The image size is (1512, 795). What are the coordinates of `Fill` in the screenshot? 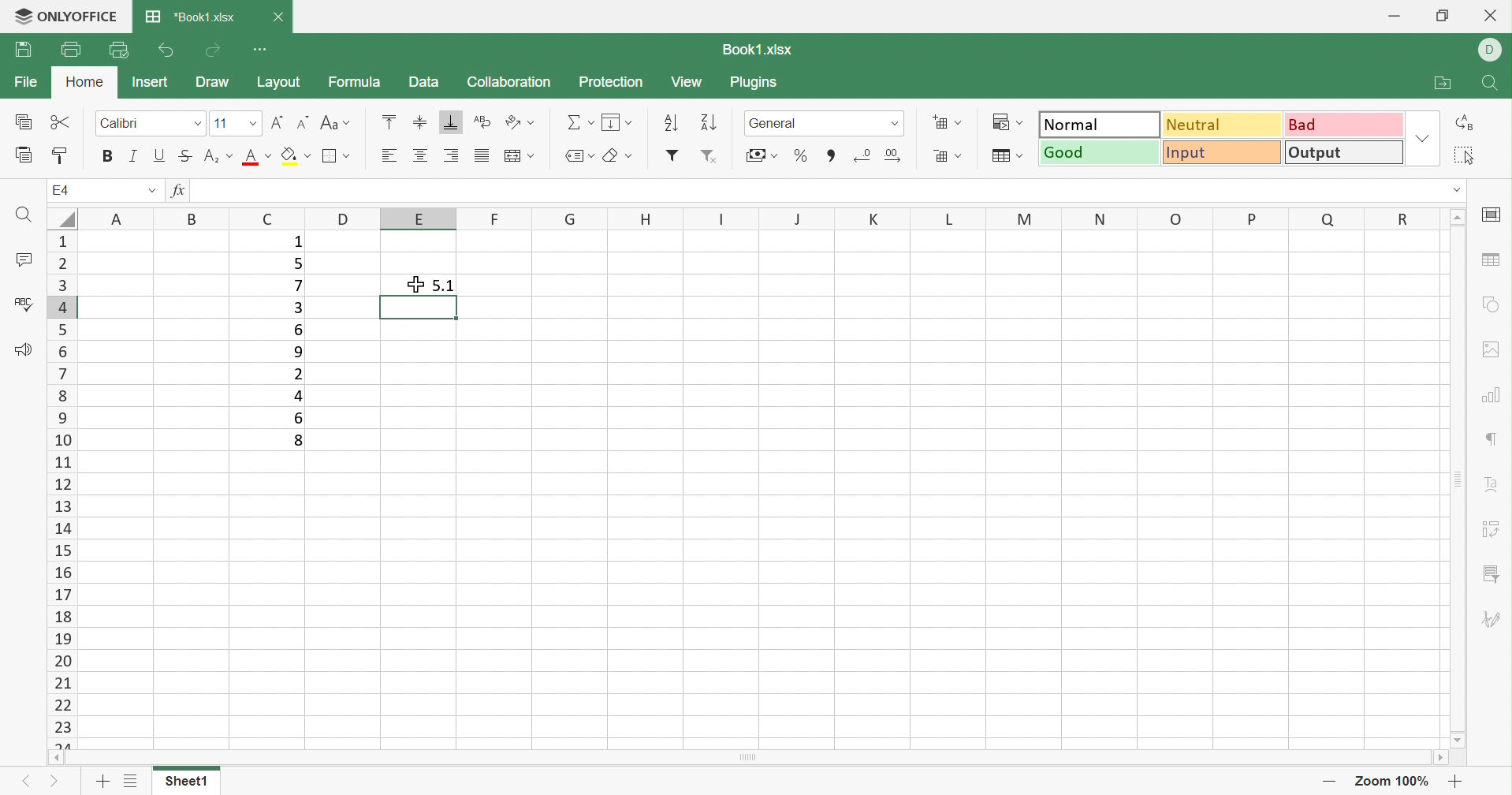 It's located at (616, 121).